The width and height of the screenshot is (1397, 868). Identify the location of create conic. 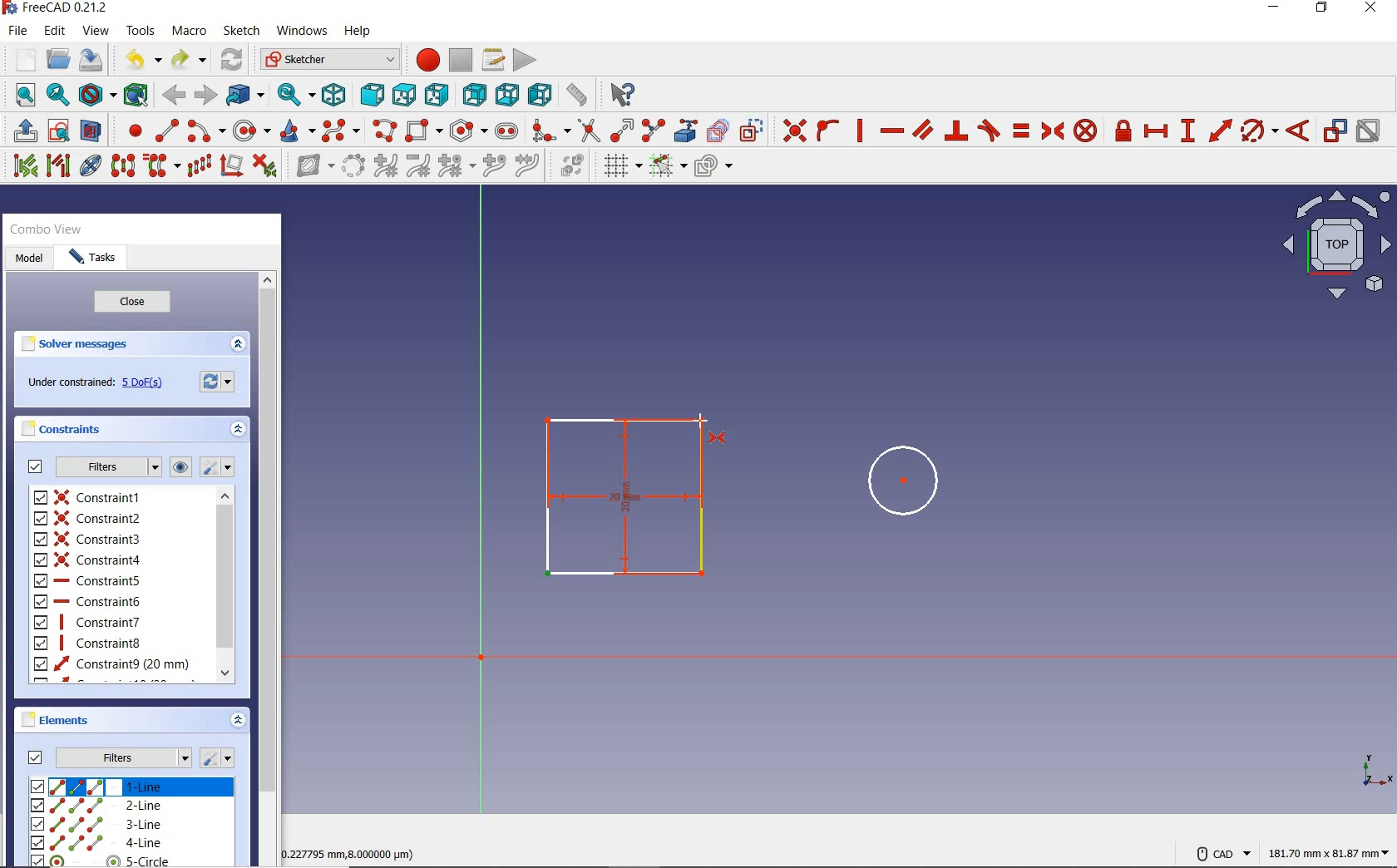
(298, 131).